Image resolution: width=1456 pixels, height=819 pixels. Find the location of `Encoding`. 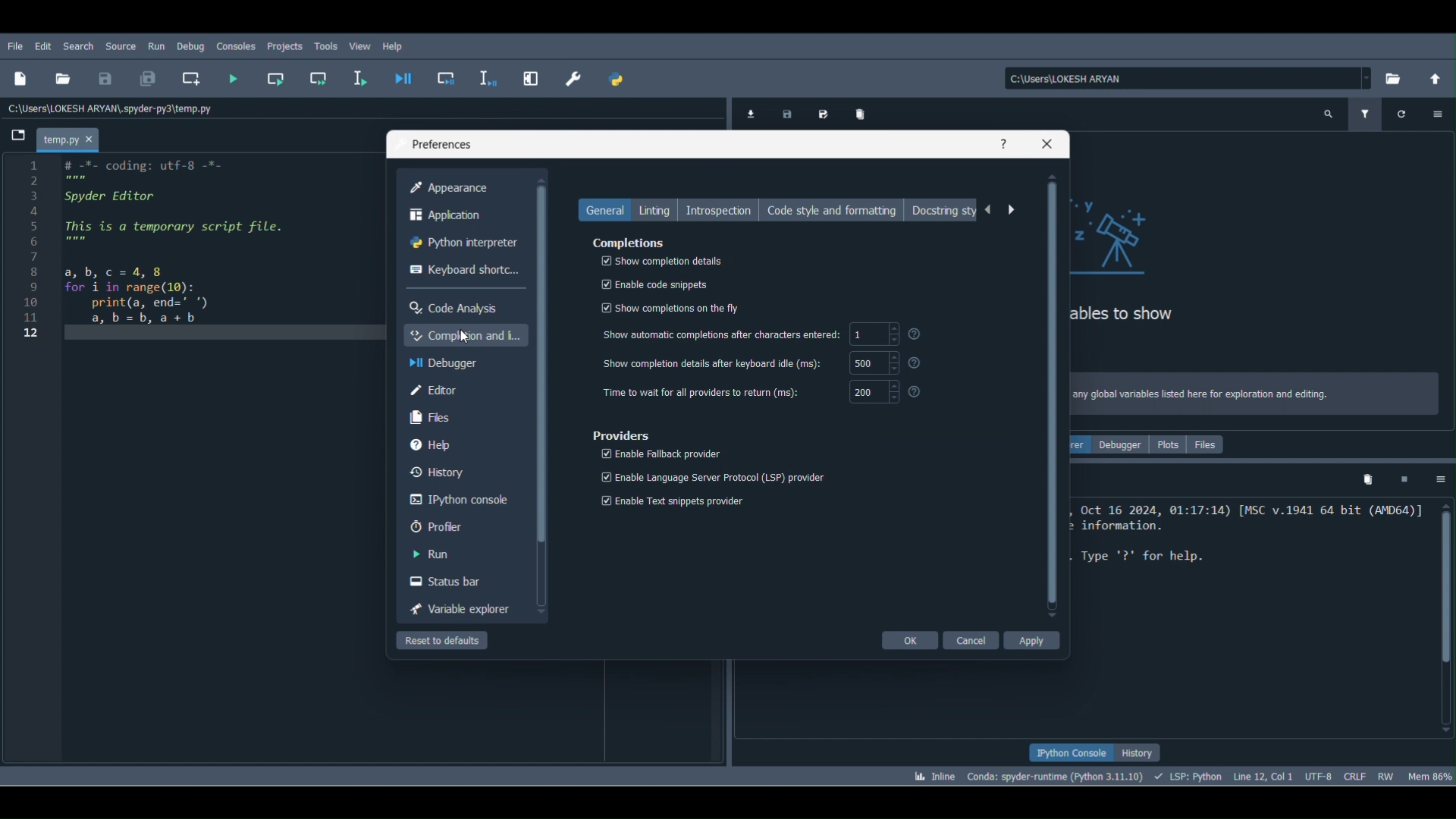

Encoding is located at coordinates (1318, 774).